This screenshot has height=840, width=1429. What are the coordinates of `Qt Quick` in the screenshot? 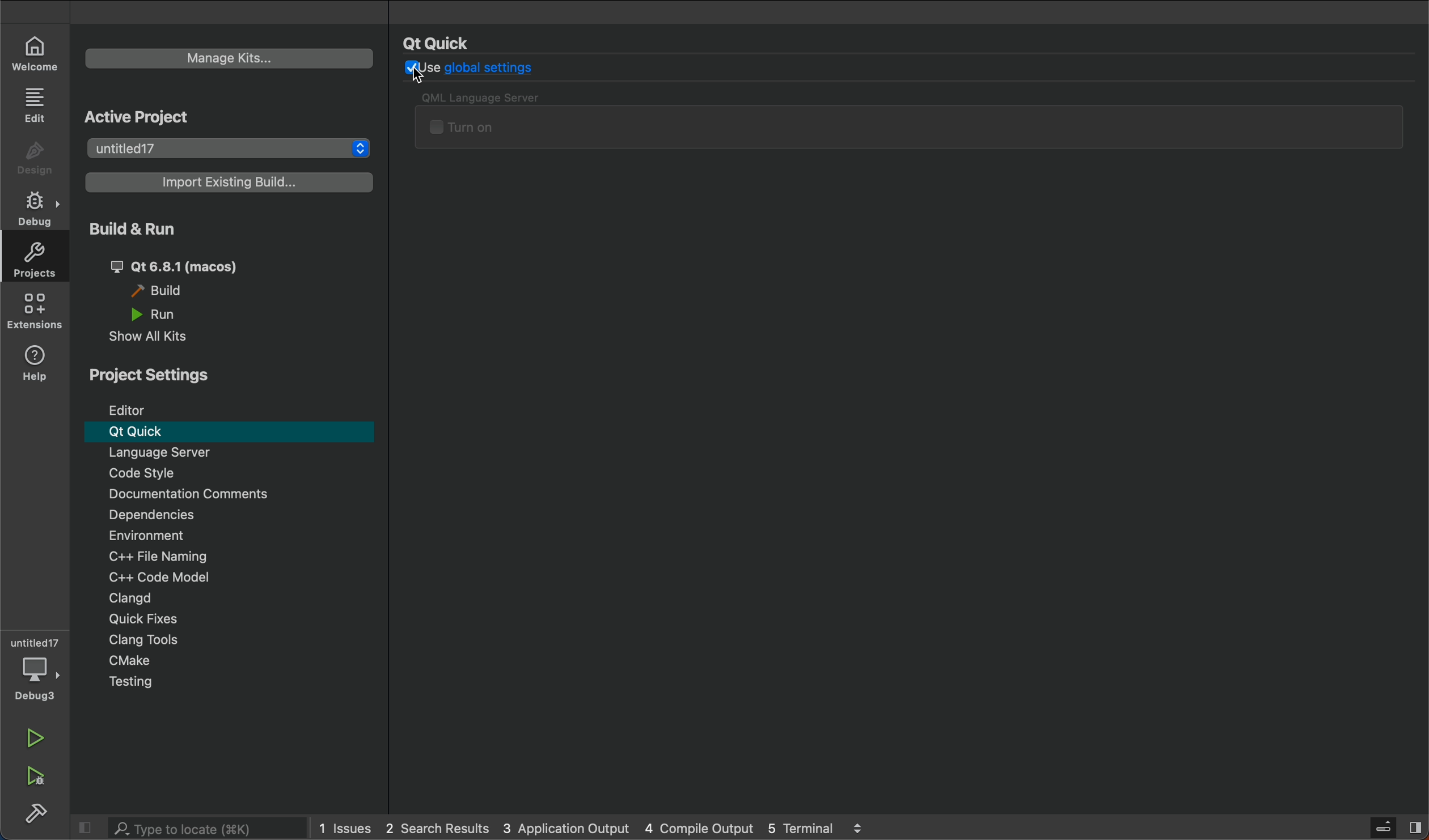 It's located at (230, 432).